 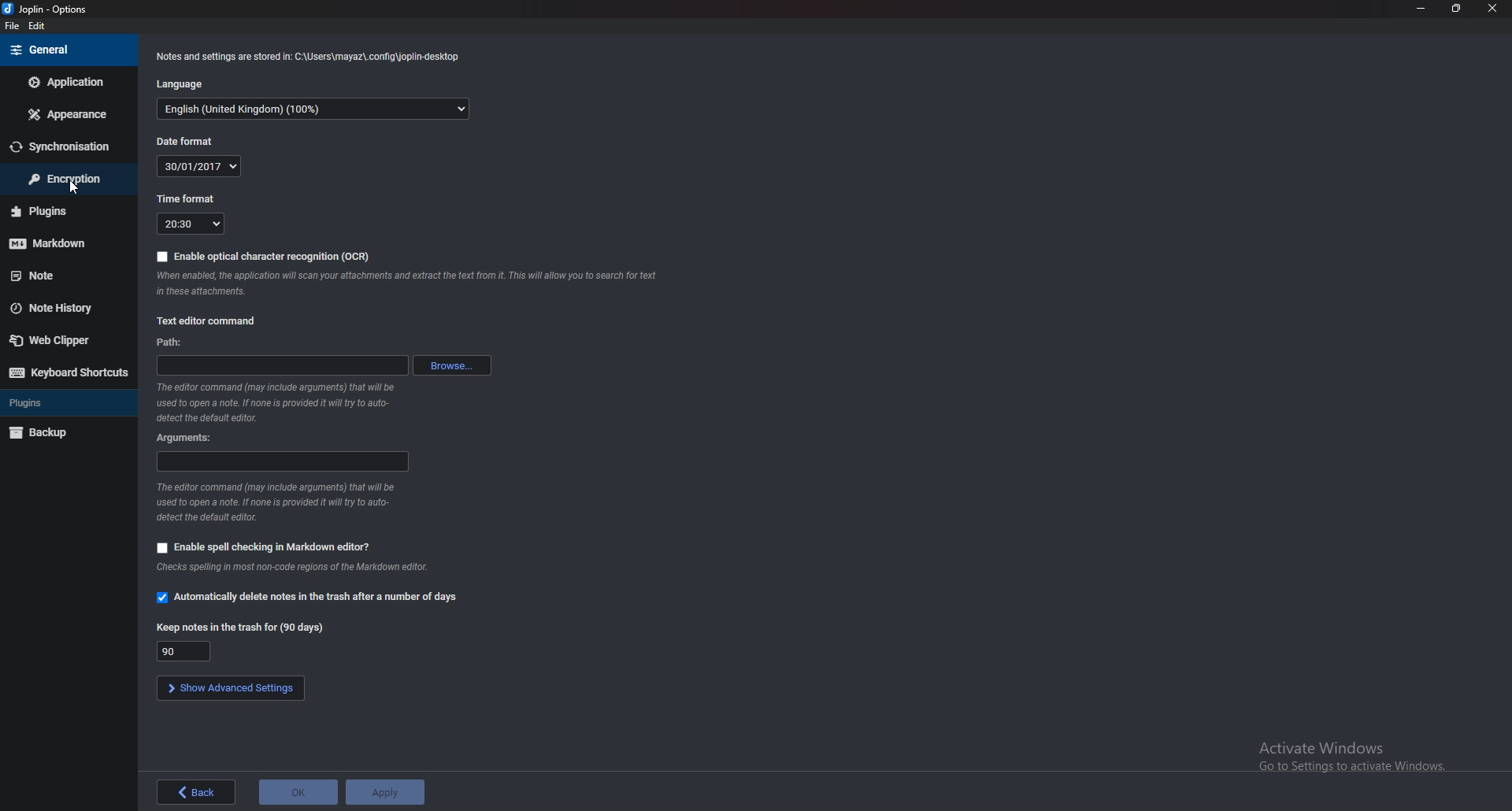 I want to click on synchronisation, so click(x=65, y=146).